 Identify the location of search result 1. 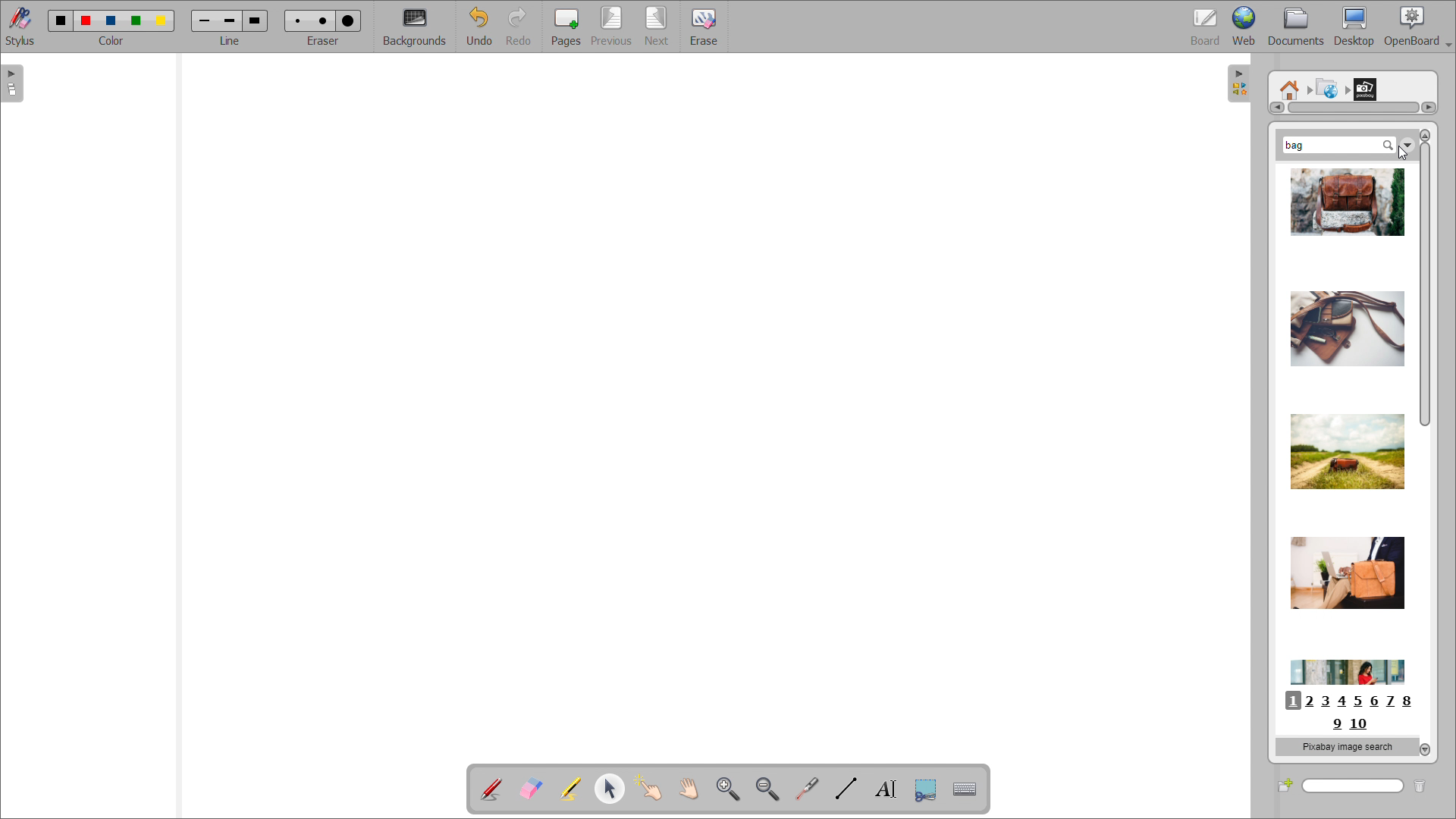
(1347, 206).